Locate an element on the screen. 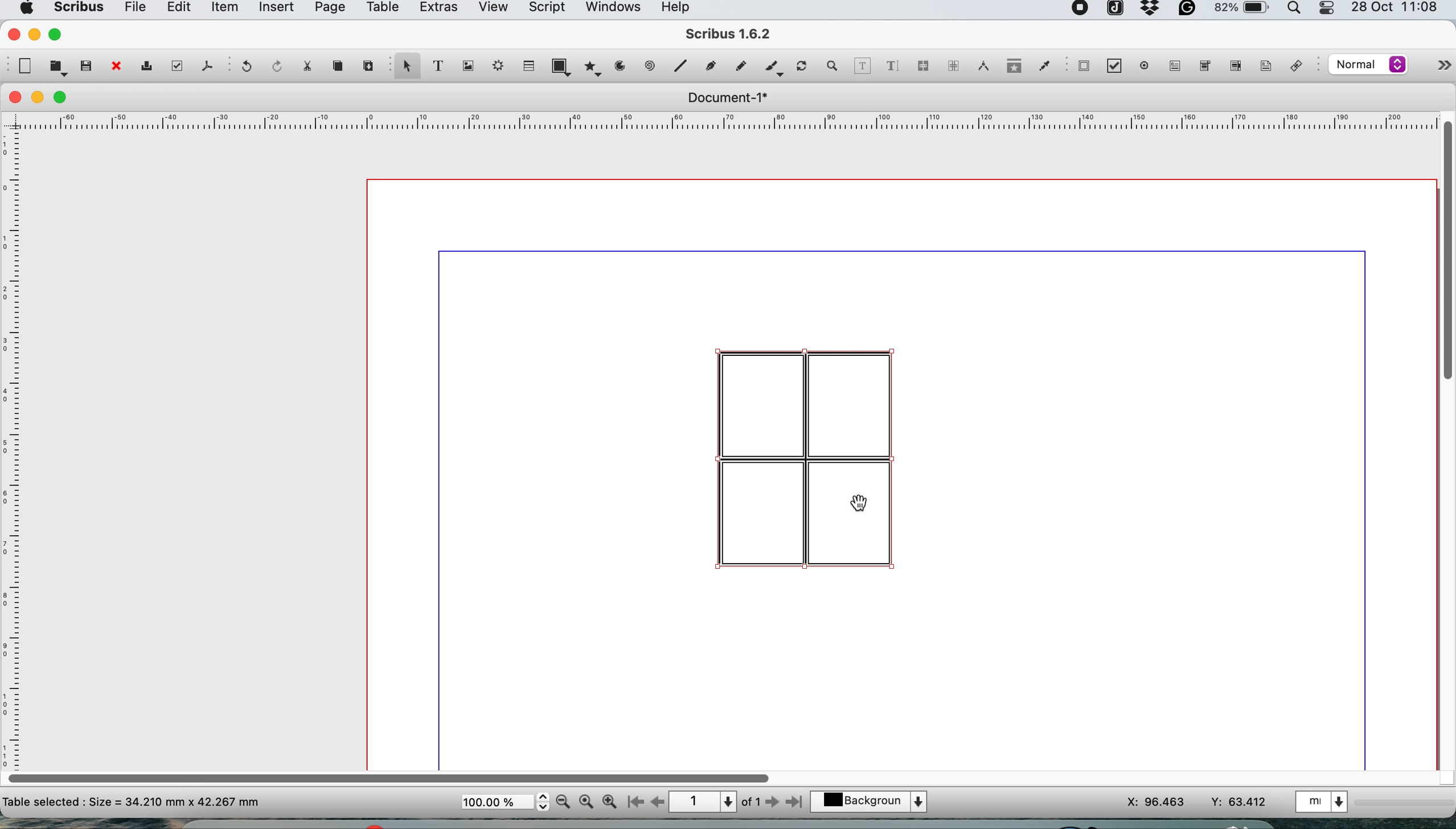  pdf check button is located at coordinates (1118, 67).